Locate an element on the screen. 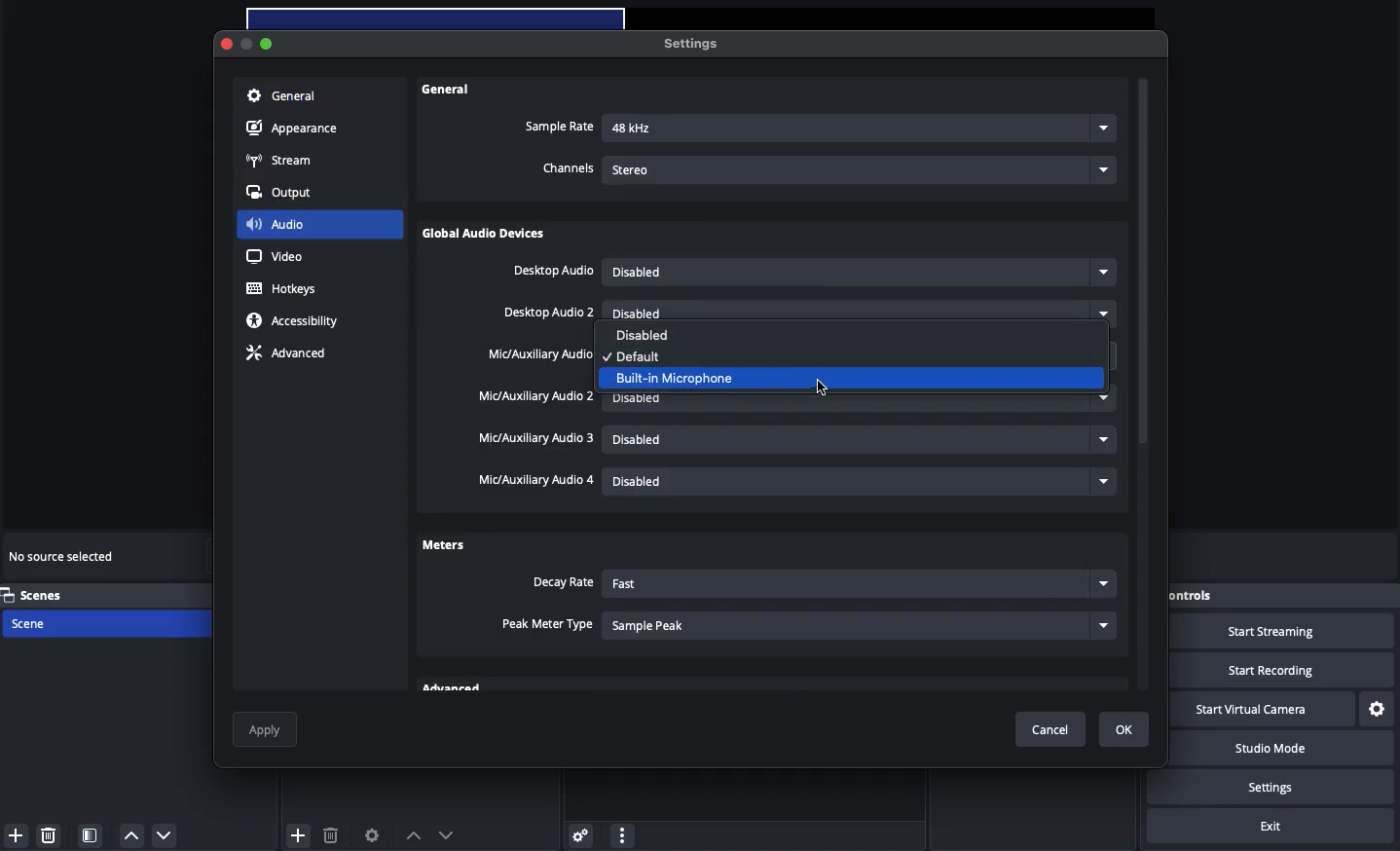 The image size is (1400, 851). Appearance is located at coordinates (295, 129).